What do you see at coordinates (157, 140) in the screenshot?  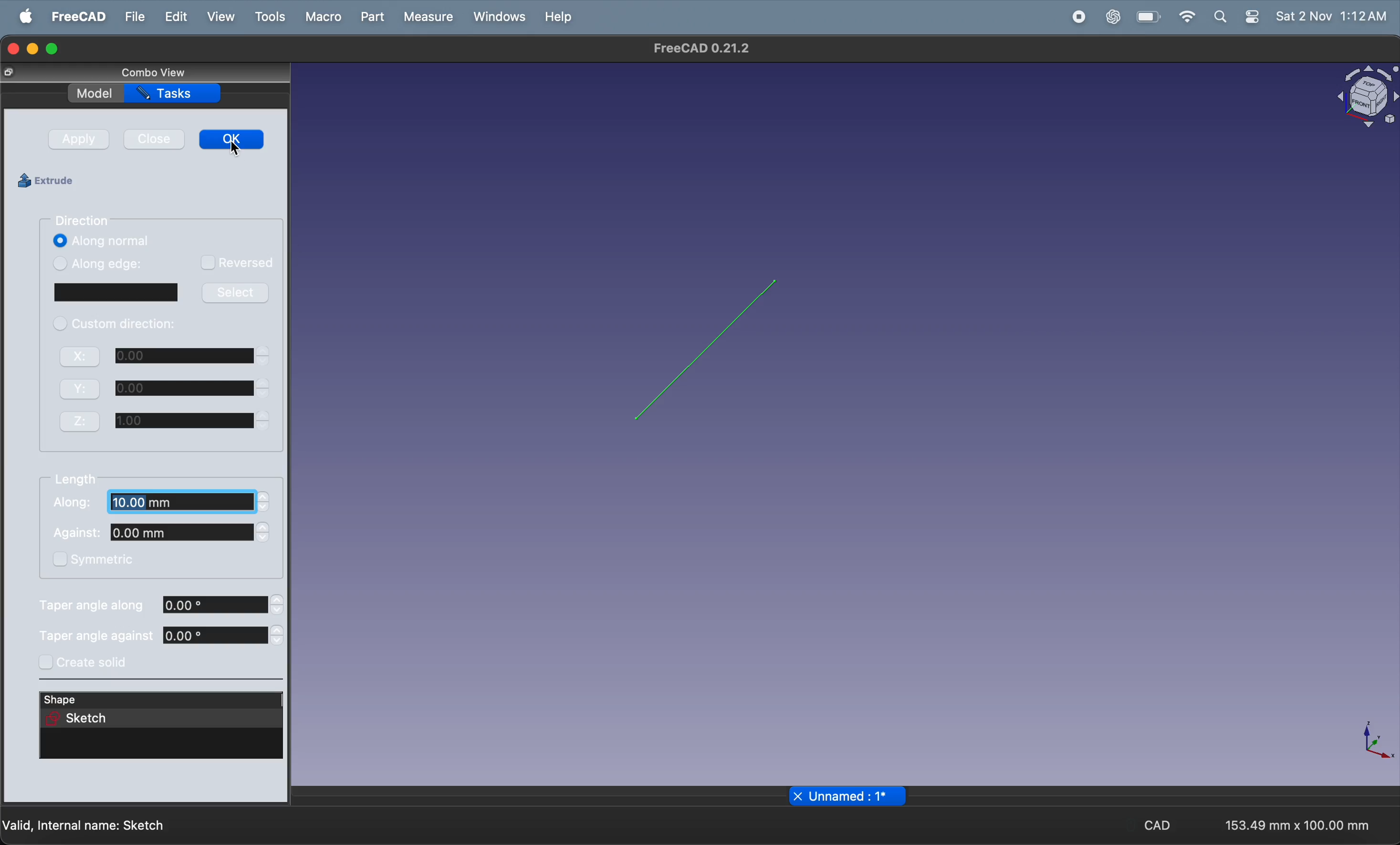 I see `close` at bounding box center [157, 140].